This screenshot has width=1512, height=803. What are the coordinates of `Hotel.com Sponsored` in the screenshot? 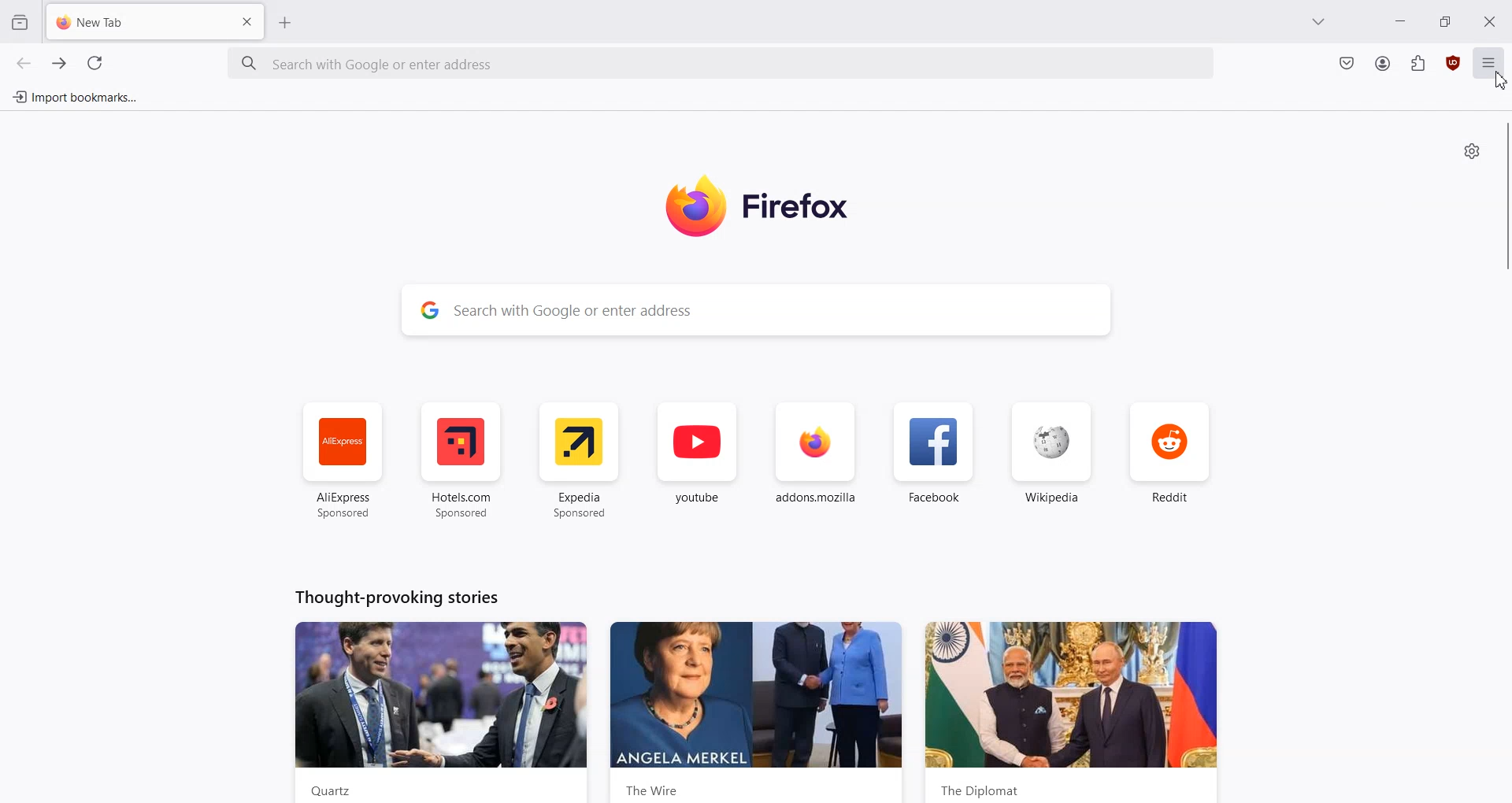 It's located at (465, 460).